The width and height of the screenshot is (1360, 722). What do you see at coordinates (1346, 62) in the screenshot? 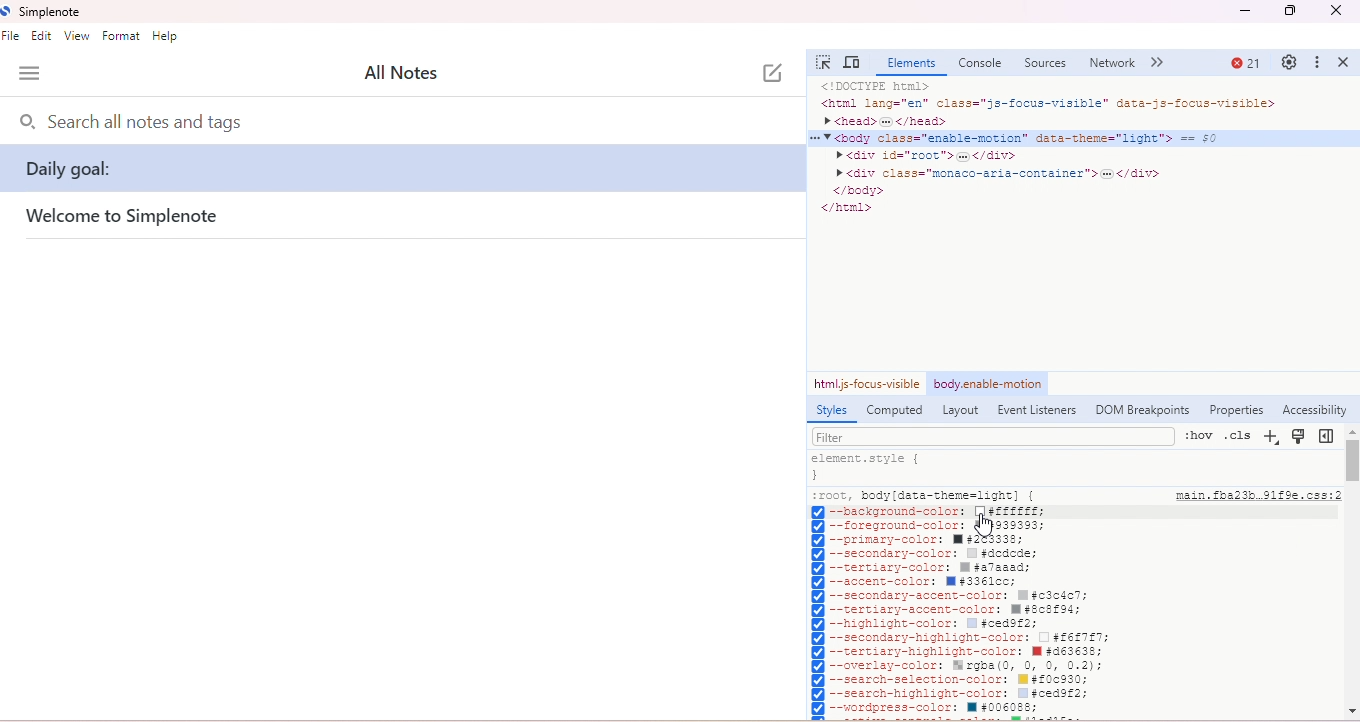
I see `close` at bounding box center [1346, 62].